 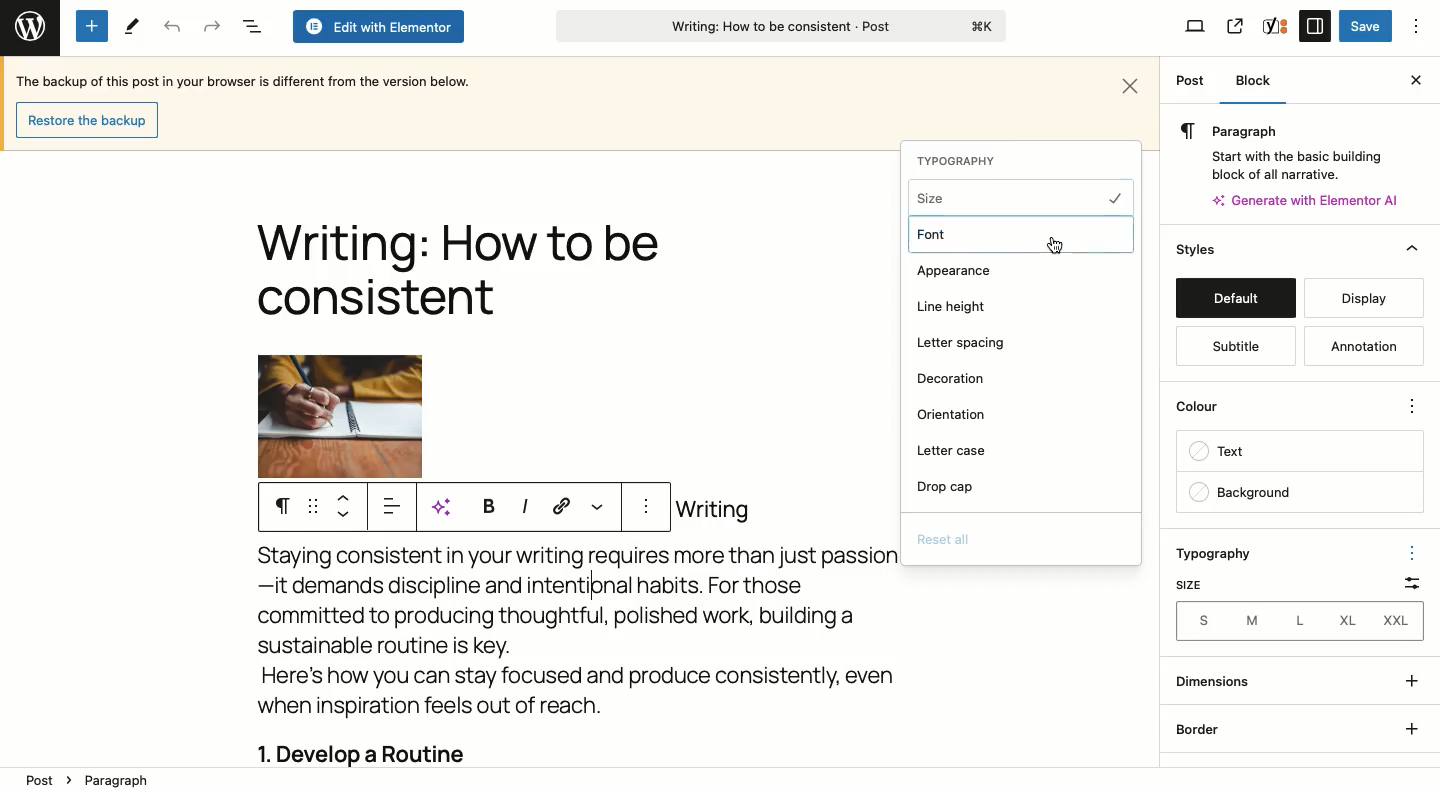 What do you see at coordinates (282, 507) in the screenshot?
I see `Paragraph` at bounding box center [282, 507].